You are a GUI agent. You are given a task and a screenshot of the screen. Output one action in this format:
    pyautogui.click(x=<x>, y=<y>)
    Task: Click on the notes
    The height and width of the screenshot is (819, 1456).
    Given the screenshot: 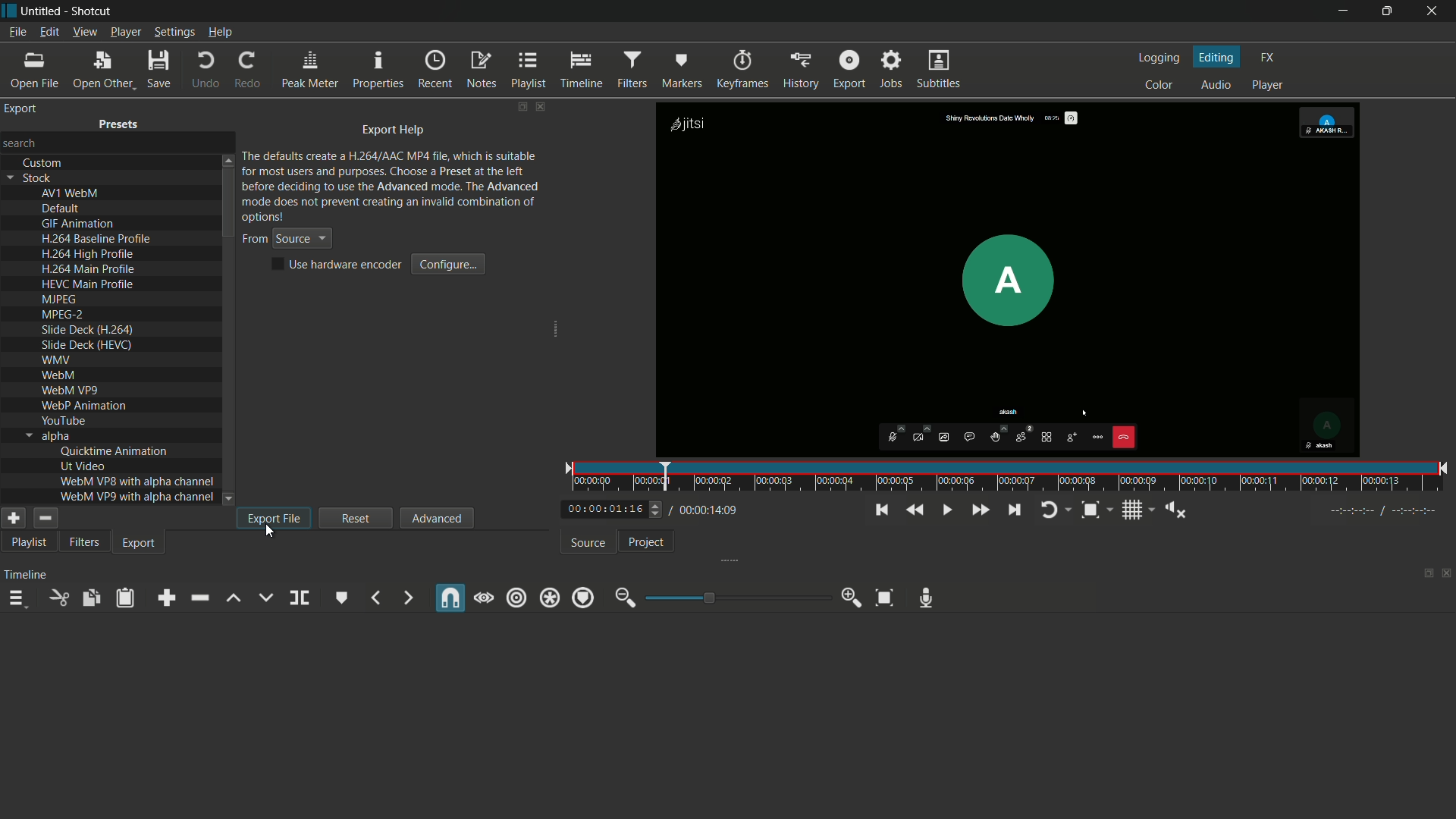 What is the action you would take?
    pyautogui.click(x=481, y=71)
    